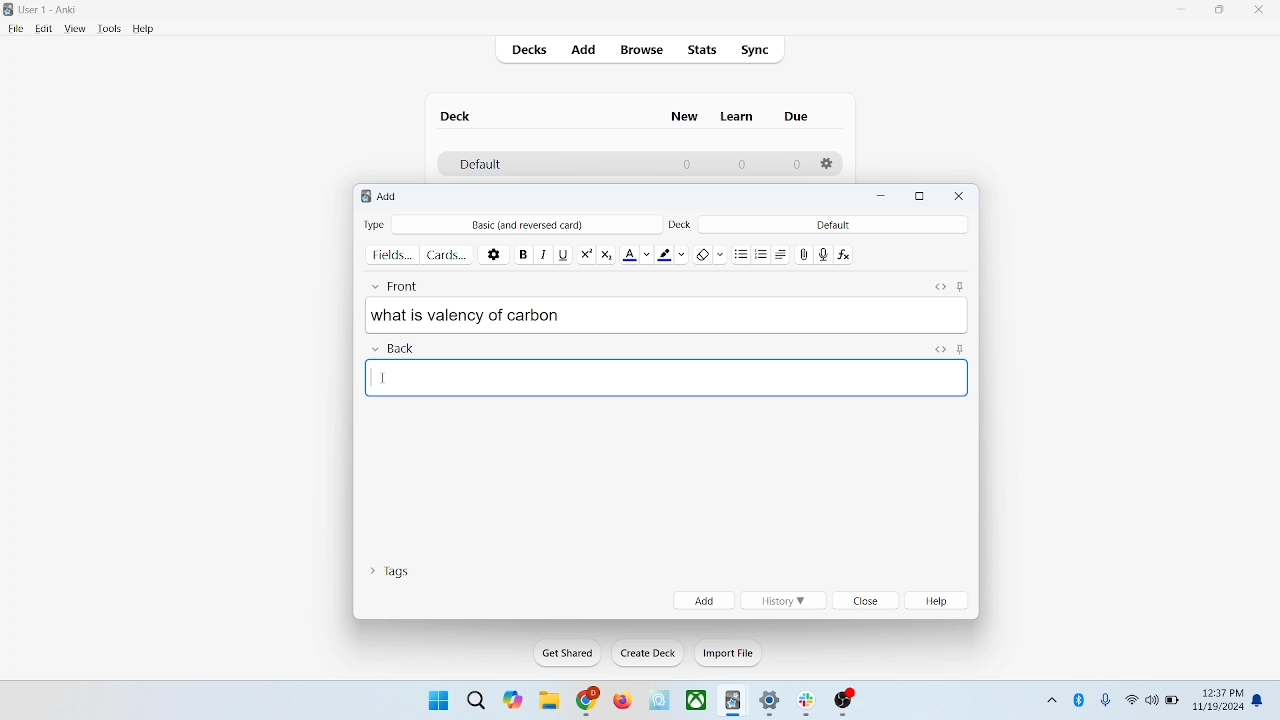 This screenshot has width=1280, height=720. Describe the element at coordinates (15, 29) in the screenshot. I see `file` at that location.